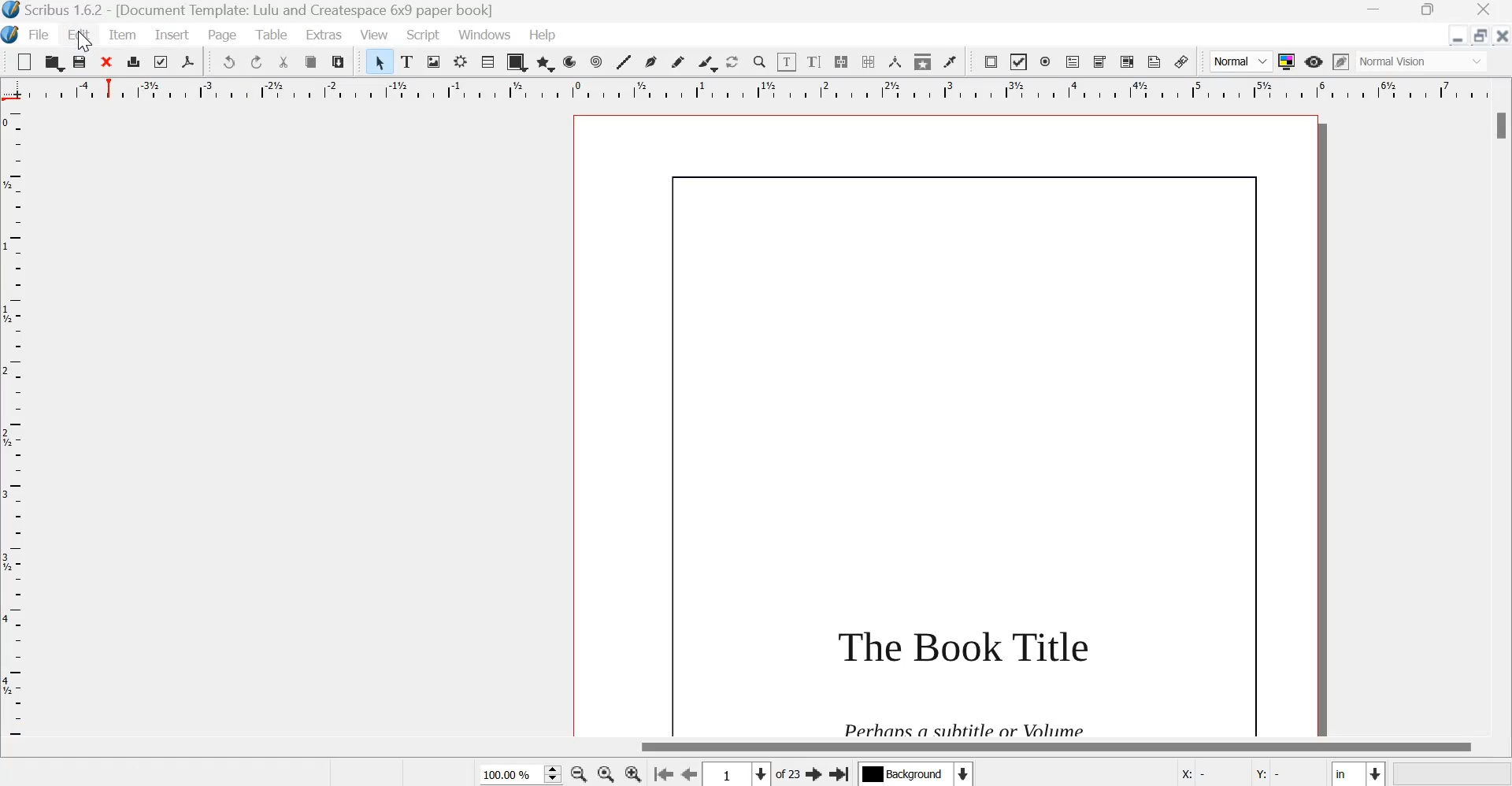  What do you see at coordinates (840, 773) in the screenshot?
I see `Go the last page` at bounding box center [840, 773].